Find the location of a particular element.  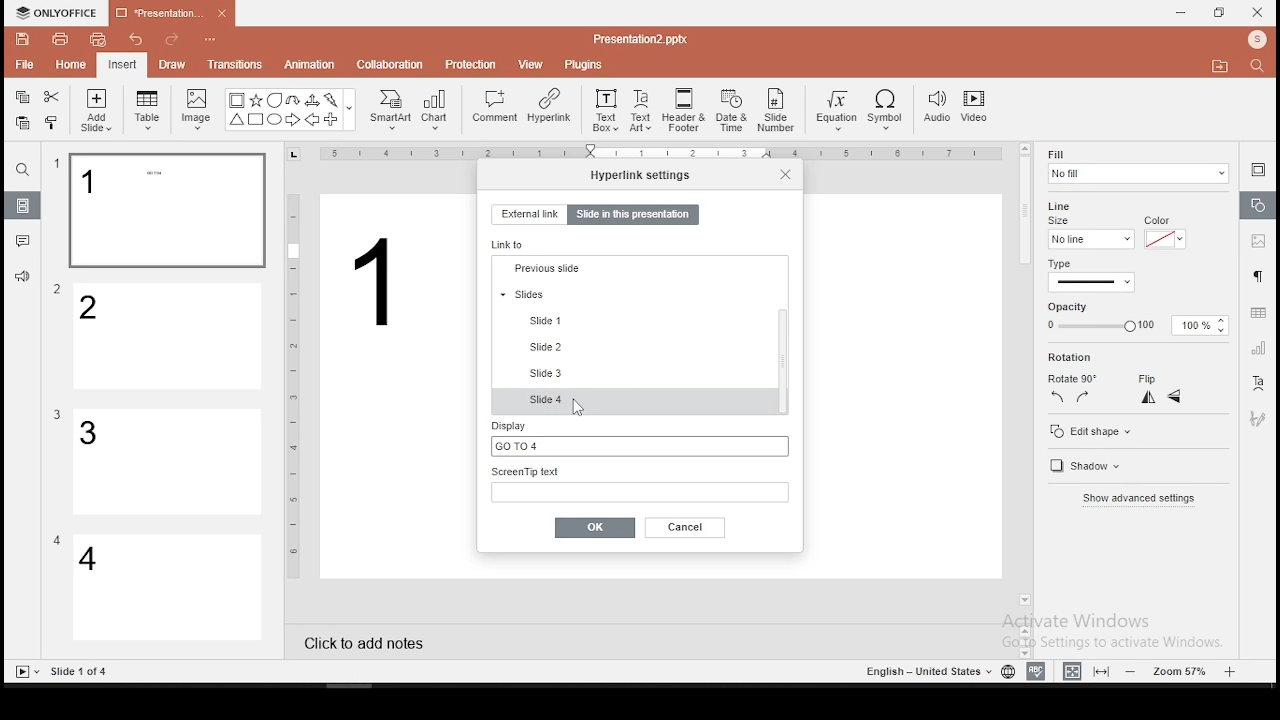

redo is located at coordinates (172, 42).